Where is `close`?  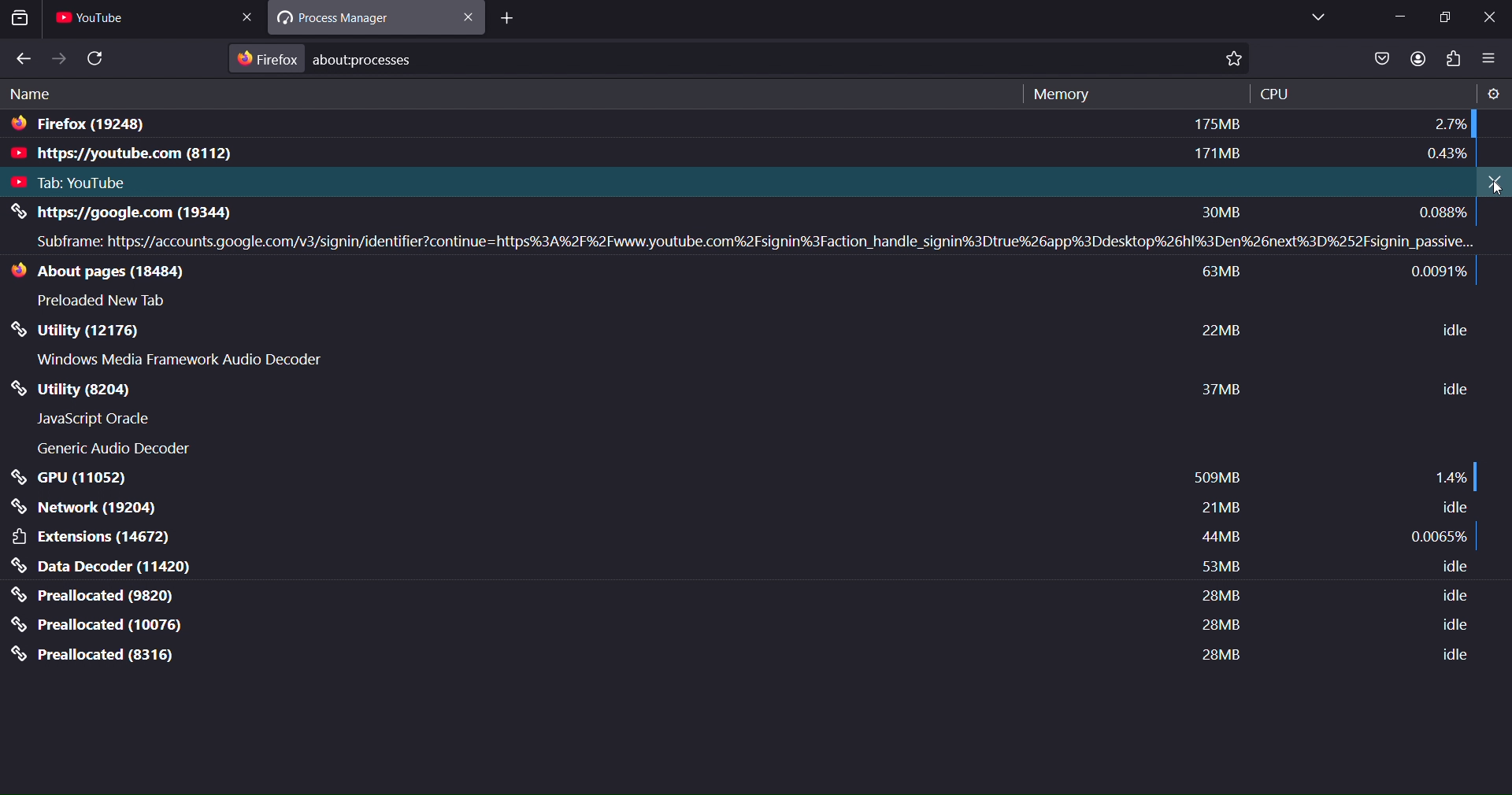
close is located at coordinates (470, 20).